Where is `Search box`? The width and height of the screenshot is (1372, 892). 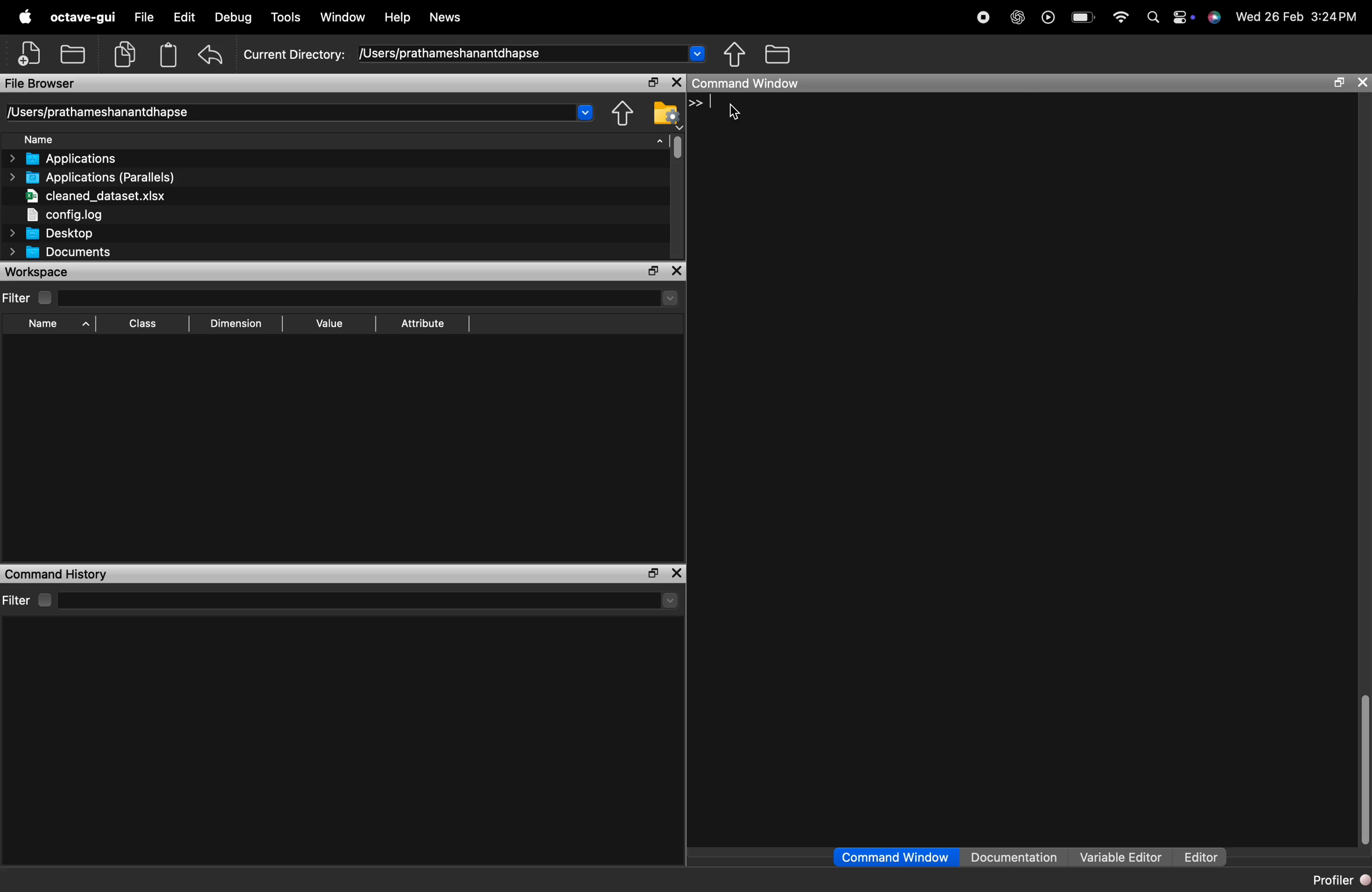 Search box is located at coordinates (355, 599).